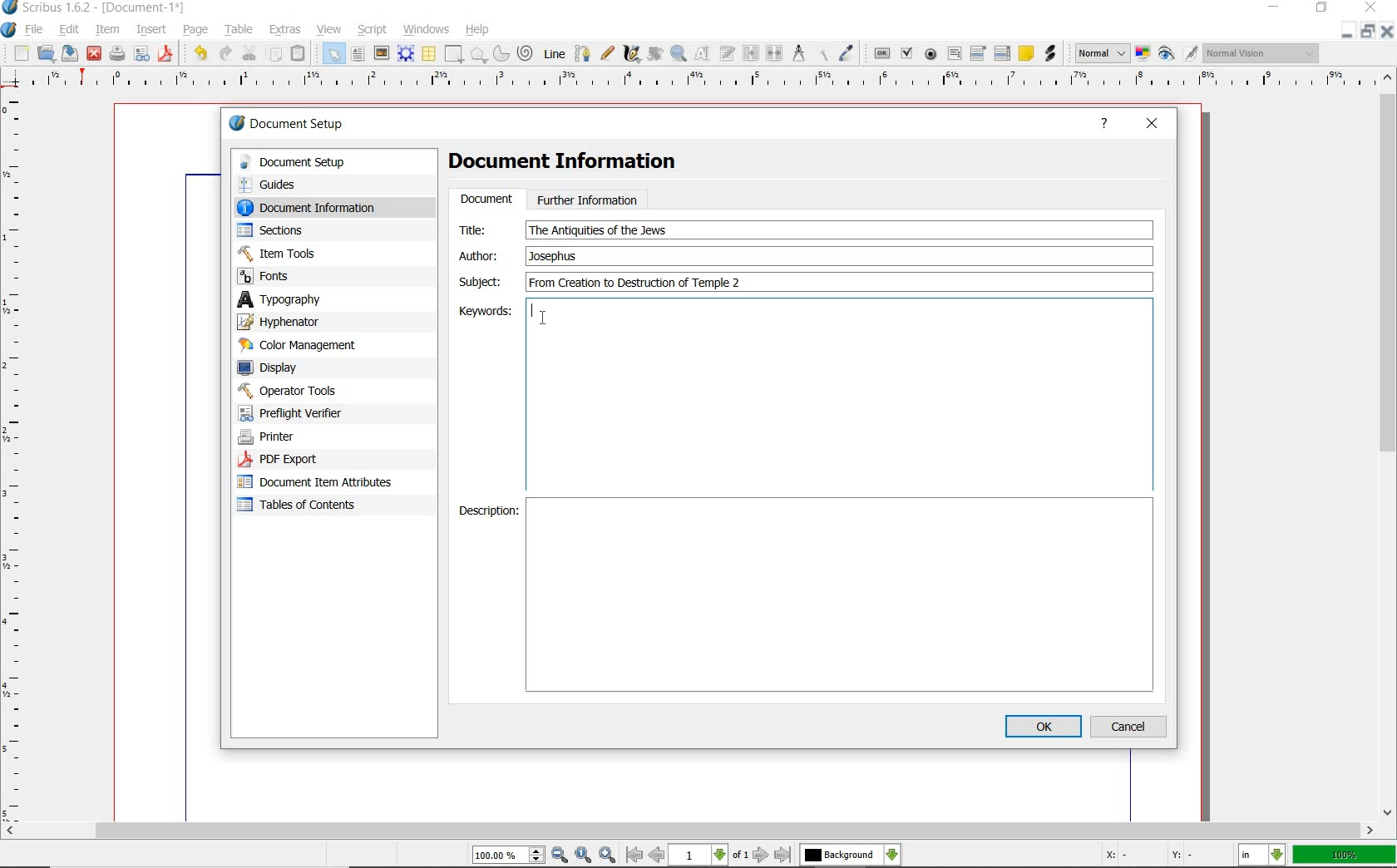  What do you see at coordinates (323, 207) in the screenshot?
I see `document information` at bounding box center [323, 207].